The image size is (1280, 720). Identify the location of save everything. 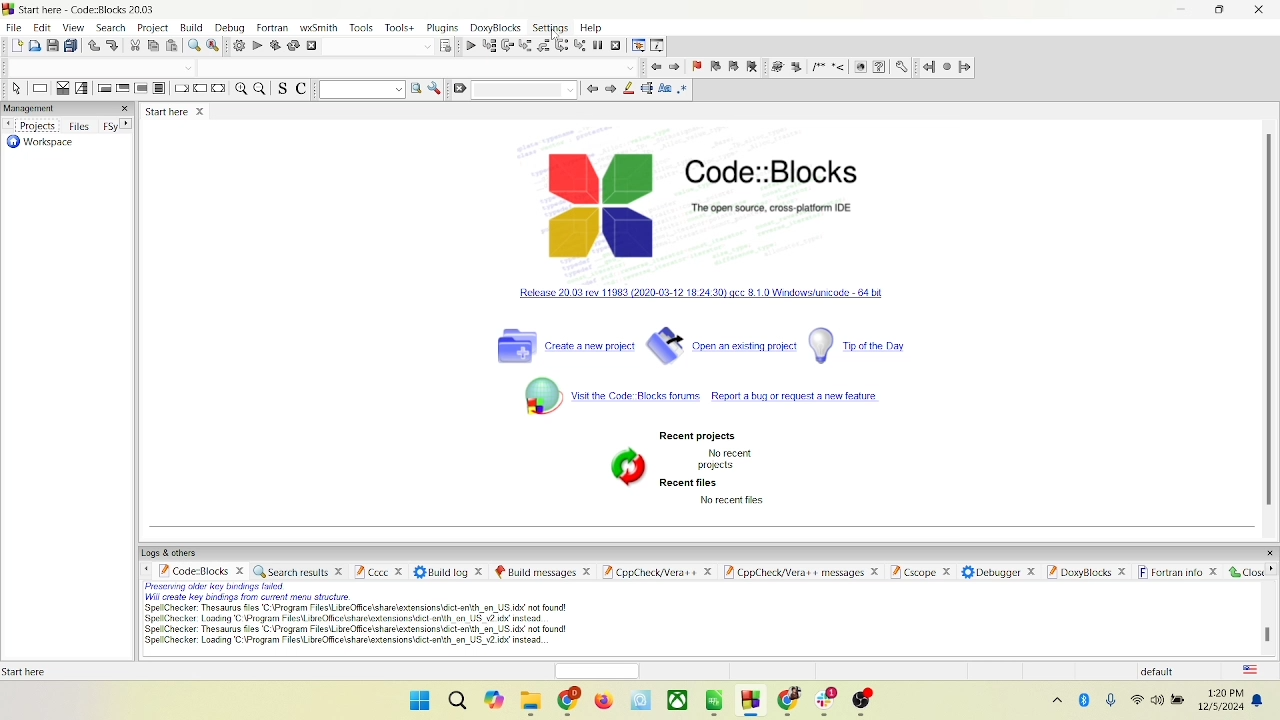
(72, 46).